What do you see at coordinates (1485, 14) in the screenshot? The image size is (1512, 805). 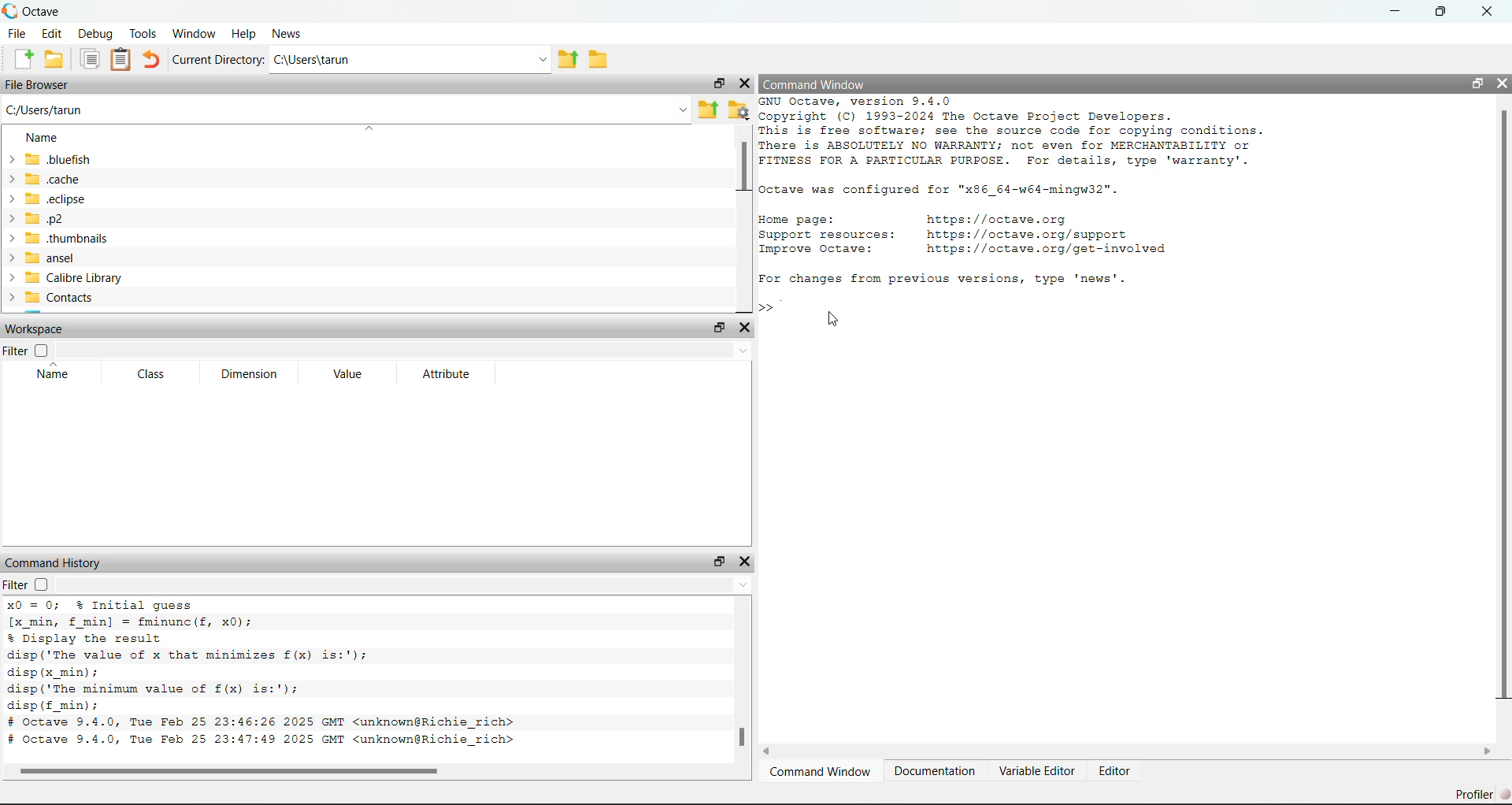 I see `Close` at bounding box center [1485, 14].